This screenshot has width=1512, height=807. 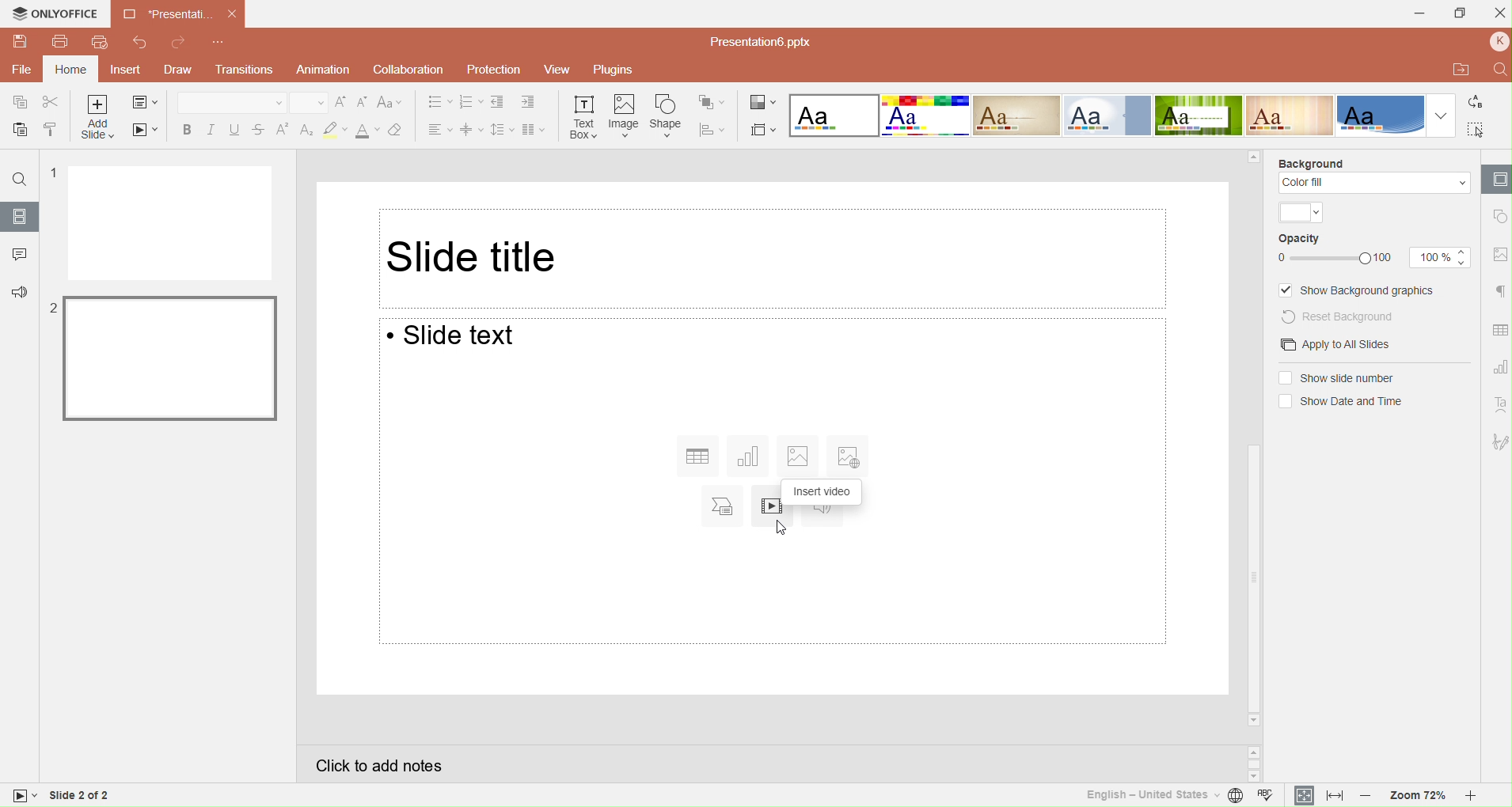 What do you see at coordinates (493, 70) in the screenshot?
I see `Protection` at bounding box center [493, 70].